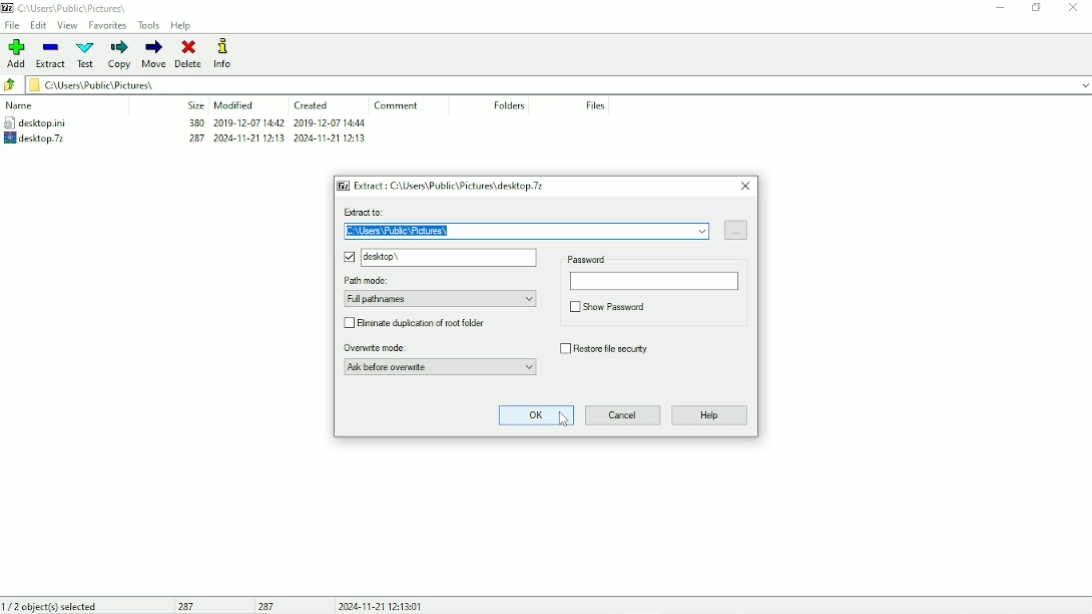 Image resolution: width=1092 pixels, height=614 pixels. I want to click on Close, so click(1073, 7).